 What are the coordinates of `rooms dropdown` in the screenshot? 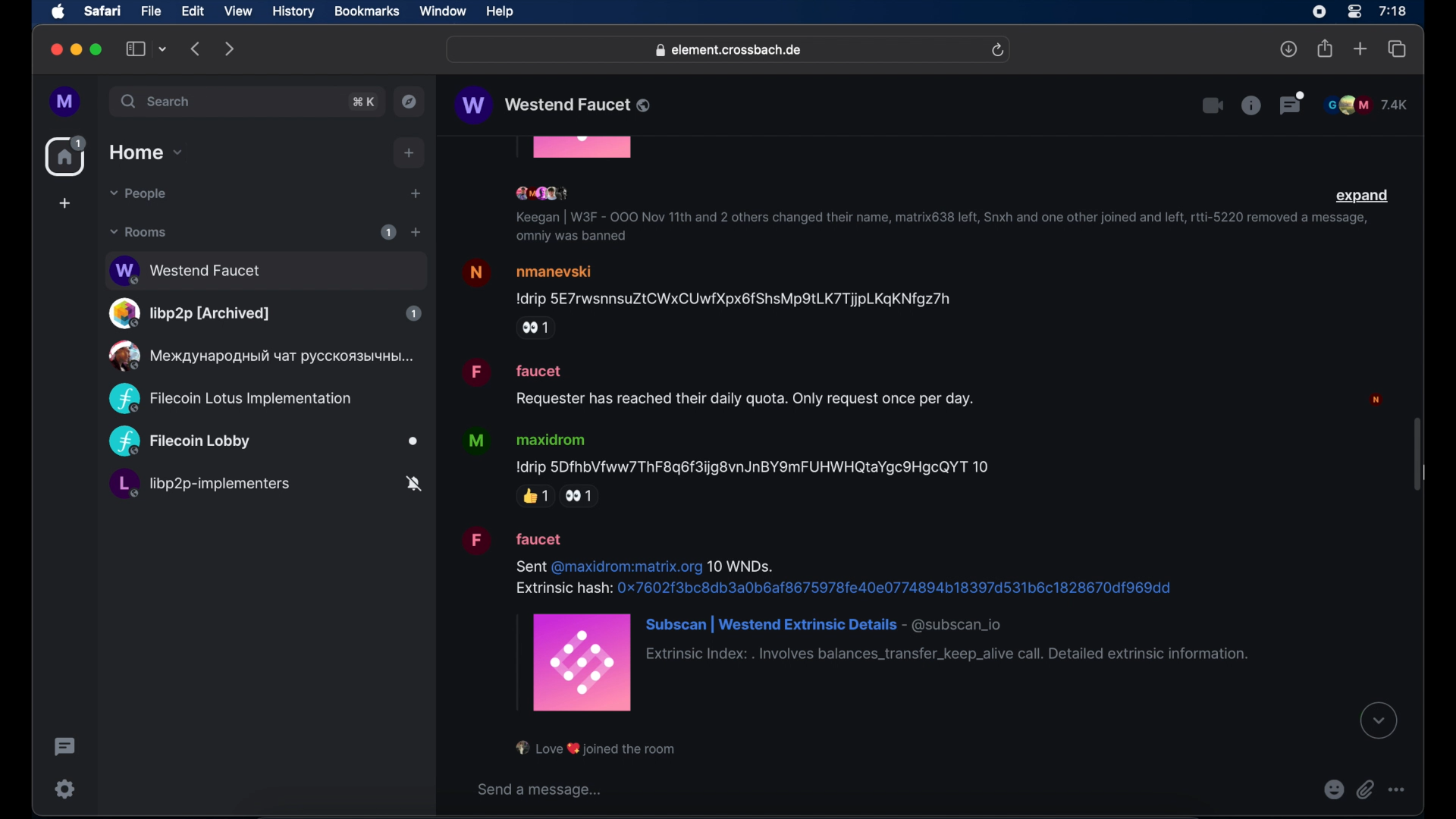 It's located at (139, 232).